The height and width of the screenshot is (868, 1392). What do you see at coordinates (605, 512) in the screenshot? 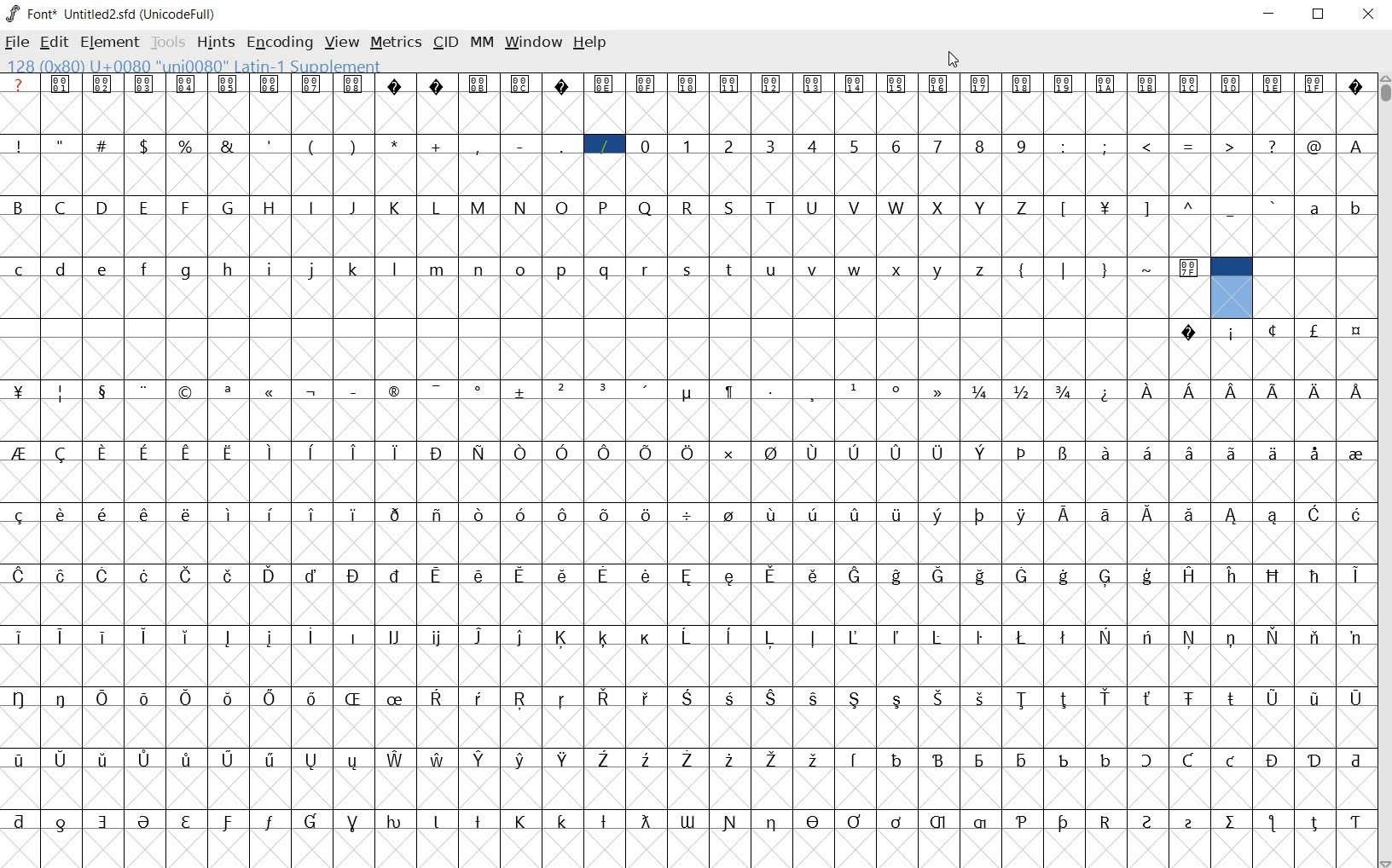
I see `Symbol` at bounding box center [605, 512].